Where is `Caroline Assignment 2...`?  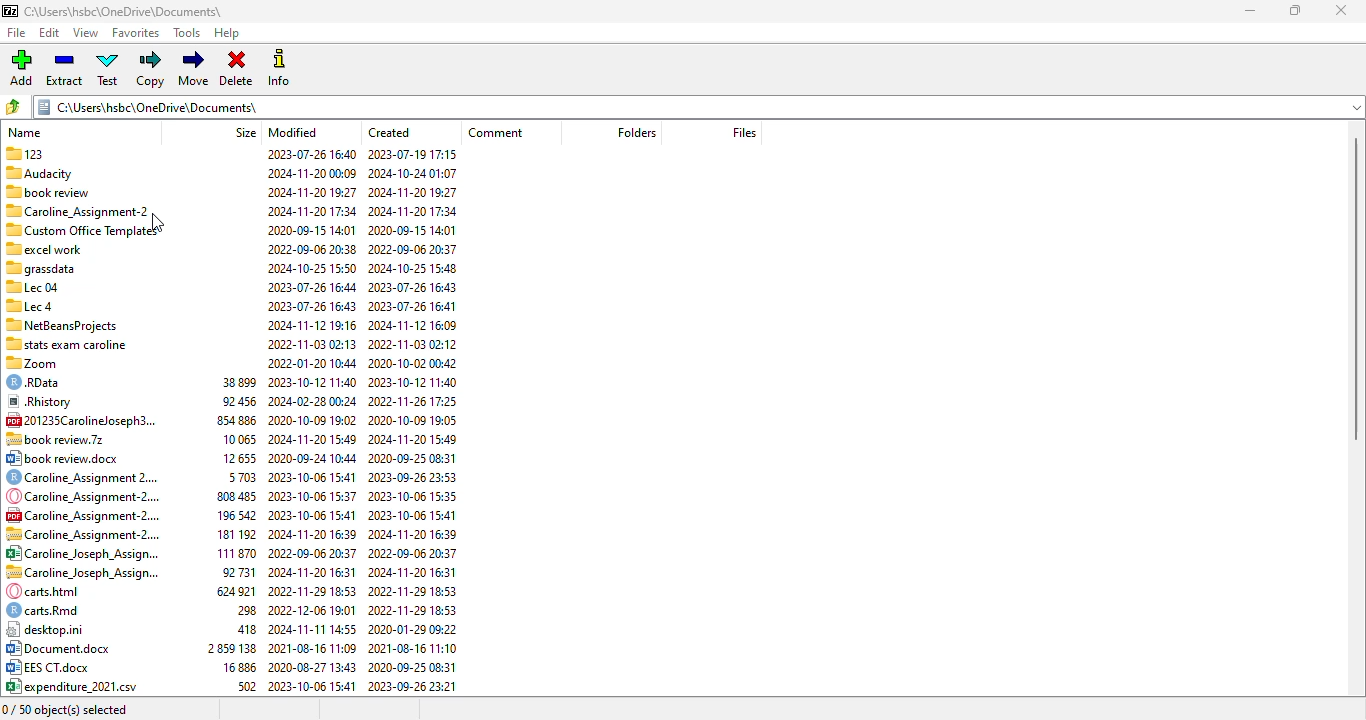 Caroline Assignment 2... is located at coordinates (82, 478).